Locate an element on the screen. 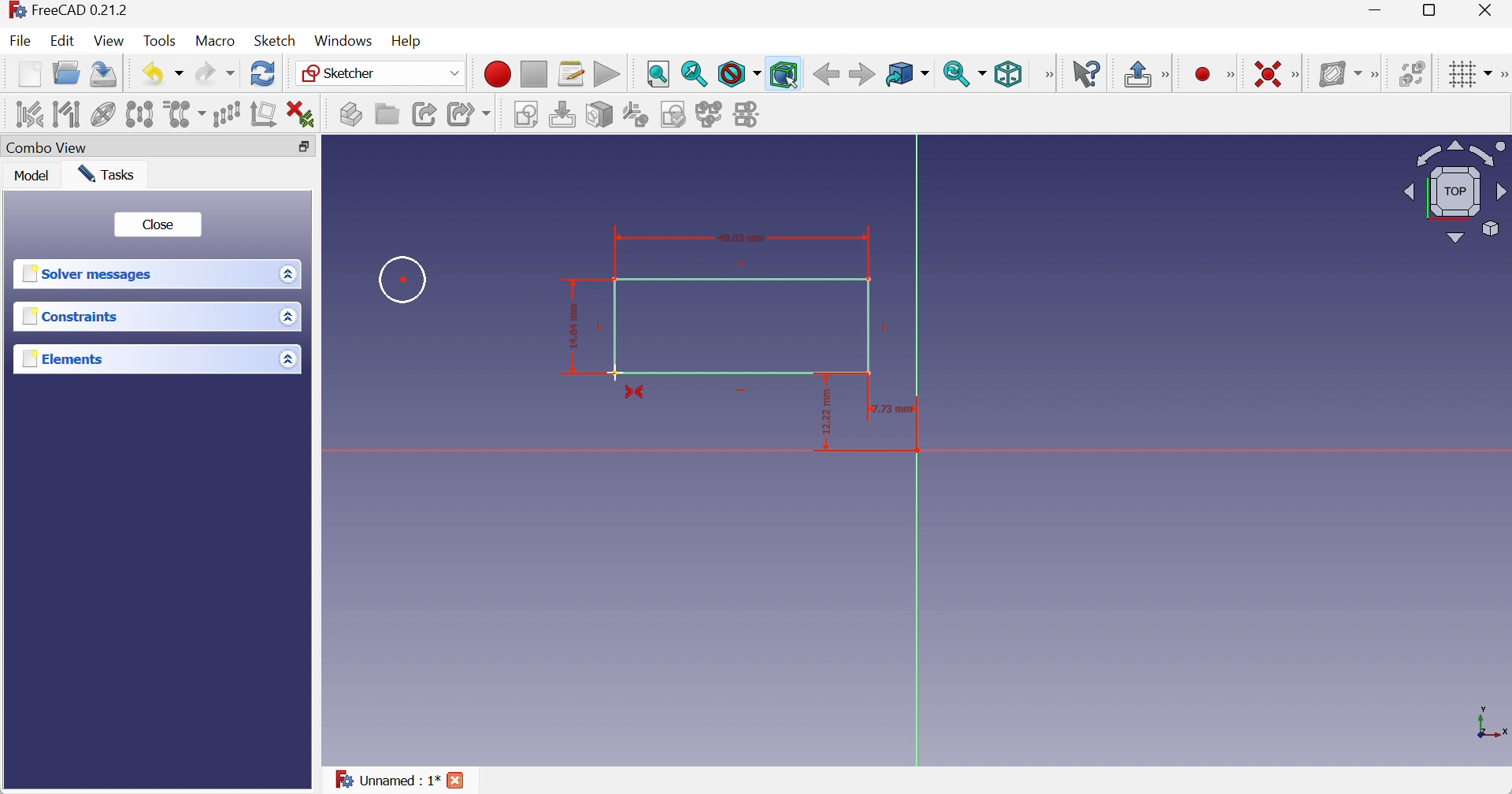  x, y axis is located at coordinates (1489, 721).